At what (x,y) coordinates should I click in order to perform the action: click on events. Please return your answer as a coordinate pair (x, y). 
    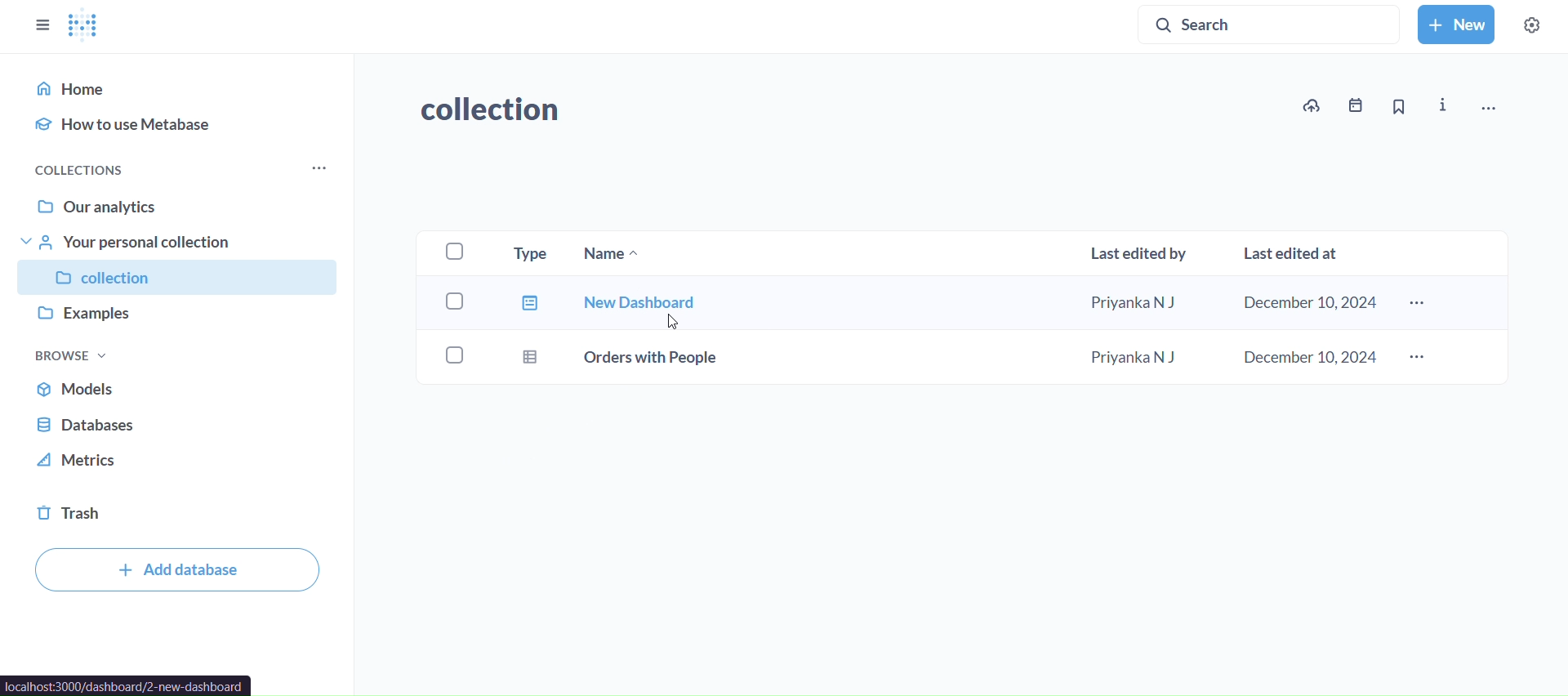
    Looking at the image, I should click on (1355, 105).